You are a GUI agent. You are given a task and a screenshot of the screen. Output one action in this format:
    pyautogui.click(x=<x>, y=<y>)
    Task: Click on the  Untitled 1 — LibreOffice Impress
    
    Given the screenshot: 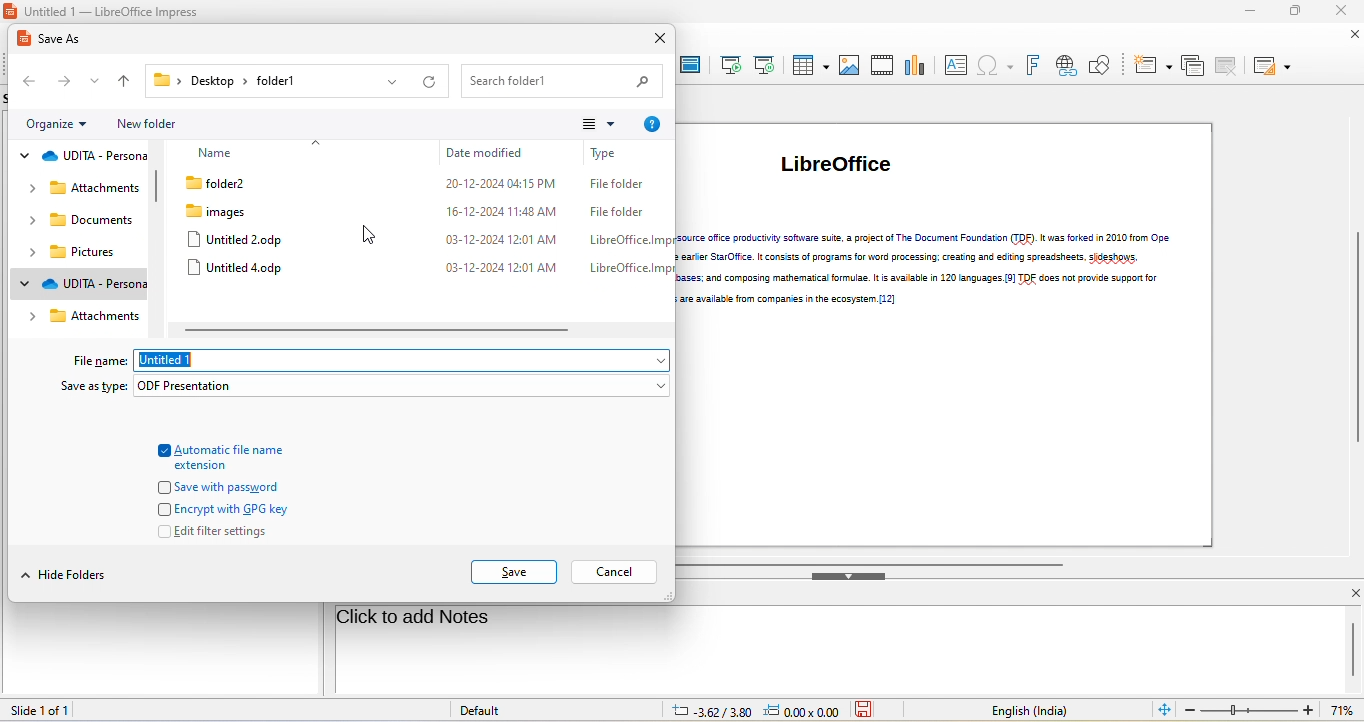 What is the action you would take?
    pyautogui.click(x=105, y=11)
    